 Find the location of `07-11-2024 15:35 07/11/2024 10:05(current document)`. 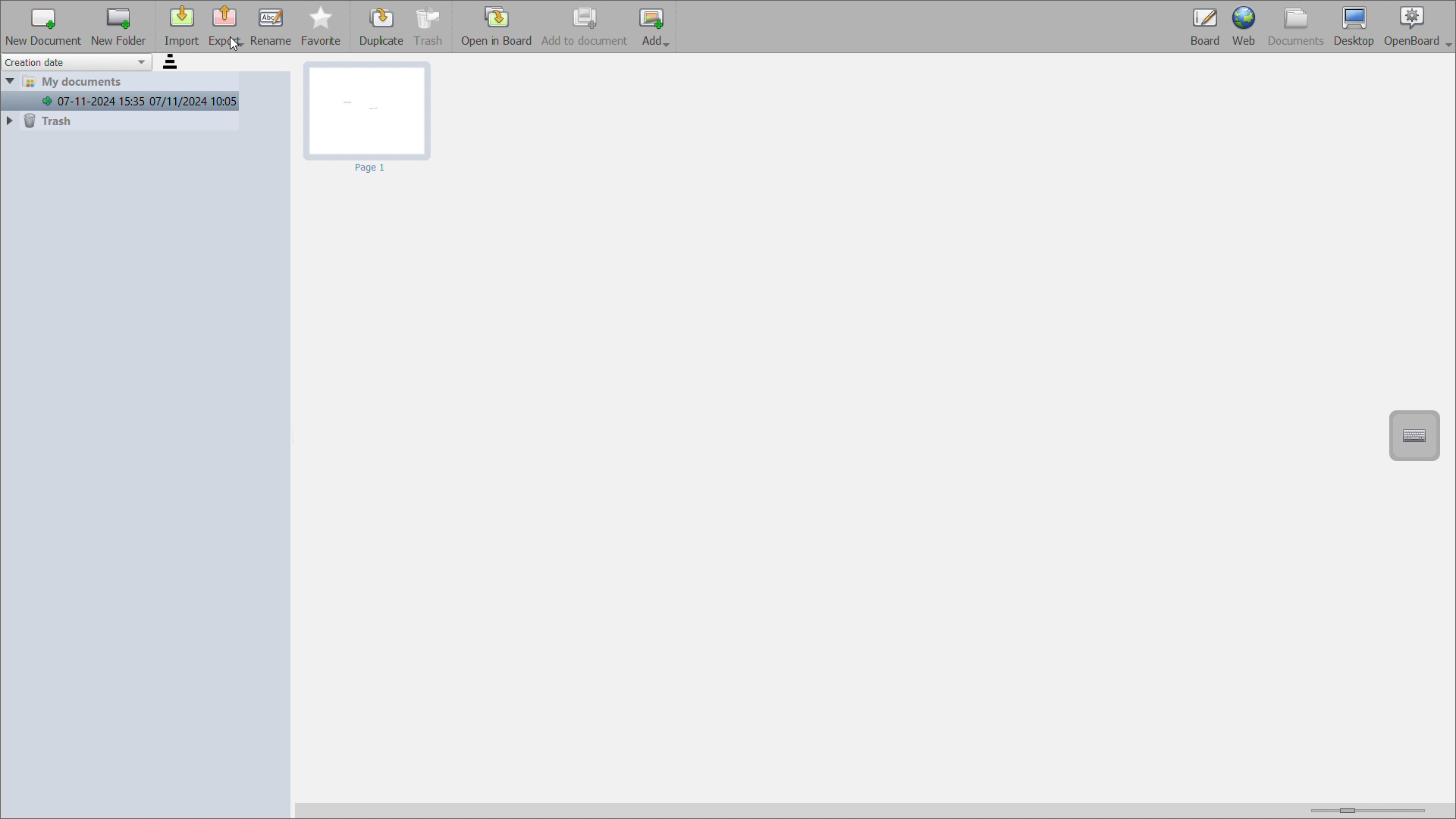

07-11-2024 15:35 07/11/2024 10:05(current document) is located at coordinates (121, 101).